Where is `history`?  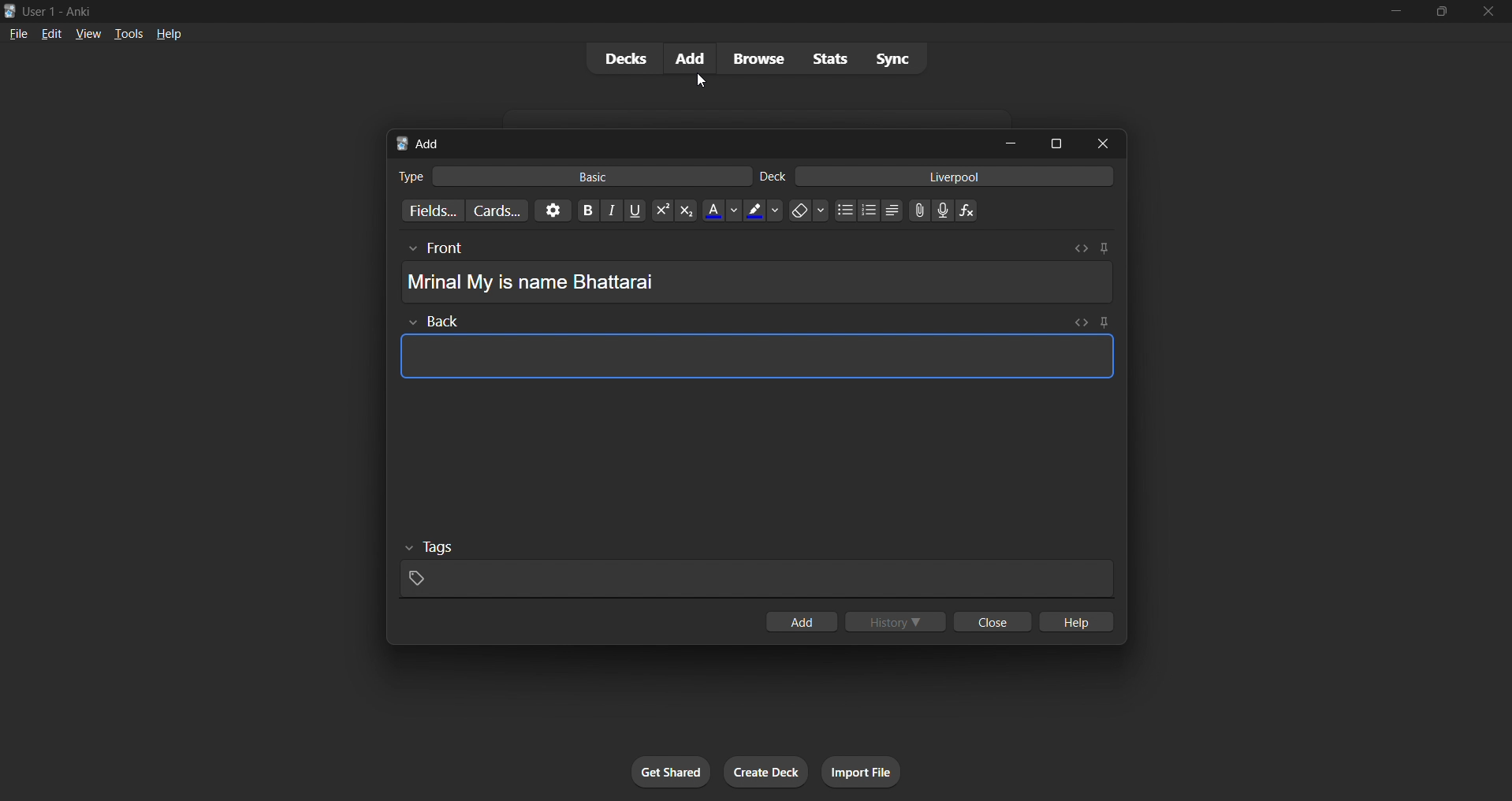
history is located at coordinates (892, 618).